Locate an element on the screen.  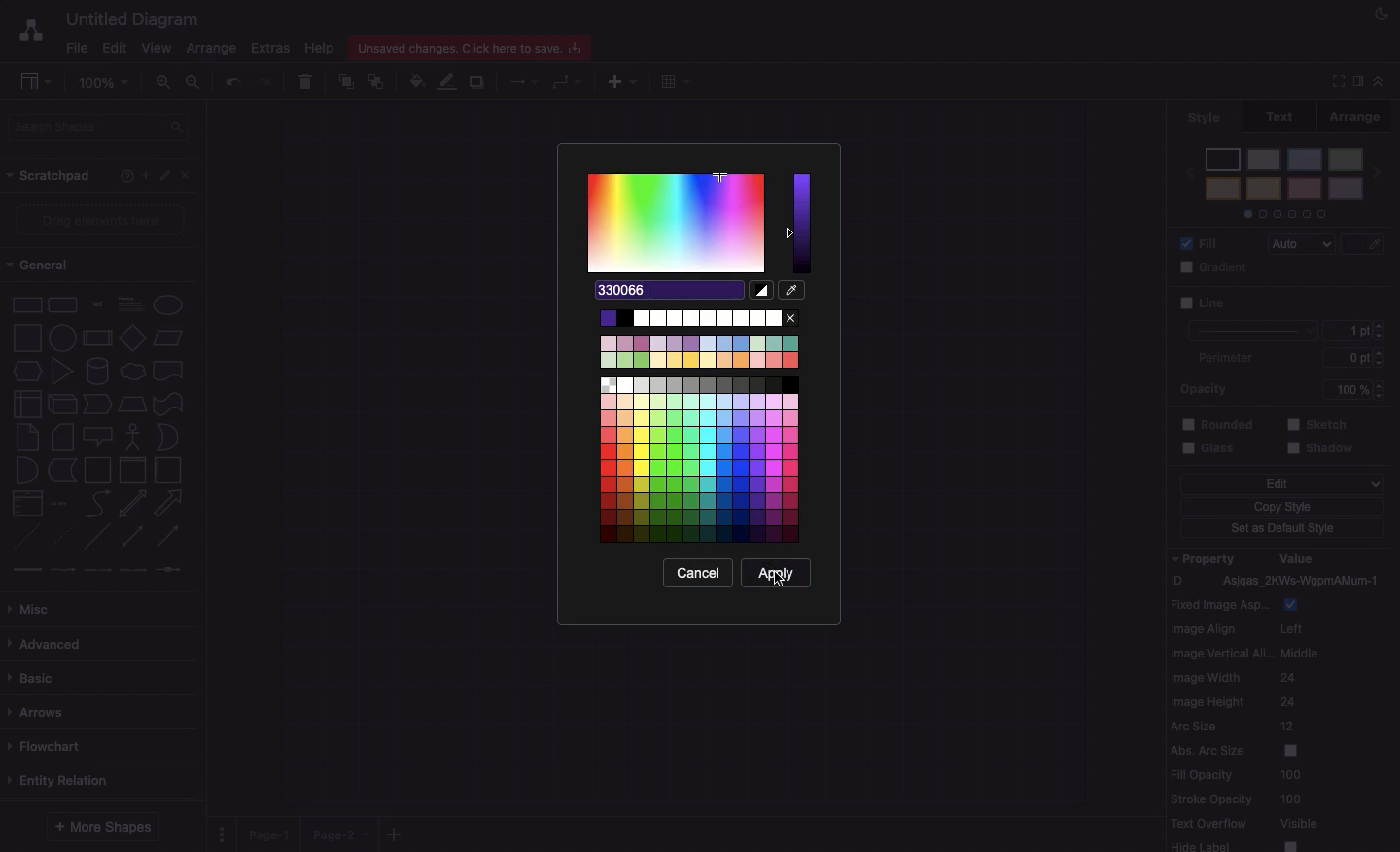
bidirectional arrow is located at coordinates (132, 503).